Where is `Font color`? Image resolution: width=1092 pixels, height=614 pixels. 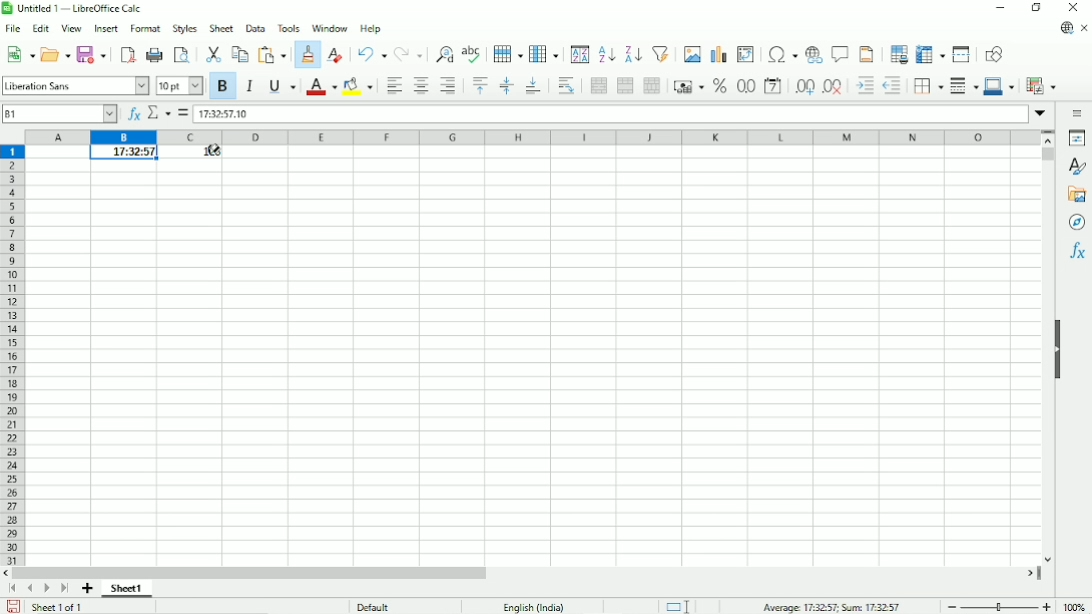 Font color is located at coordinates (319, 87).